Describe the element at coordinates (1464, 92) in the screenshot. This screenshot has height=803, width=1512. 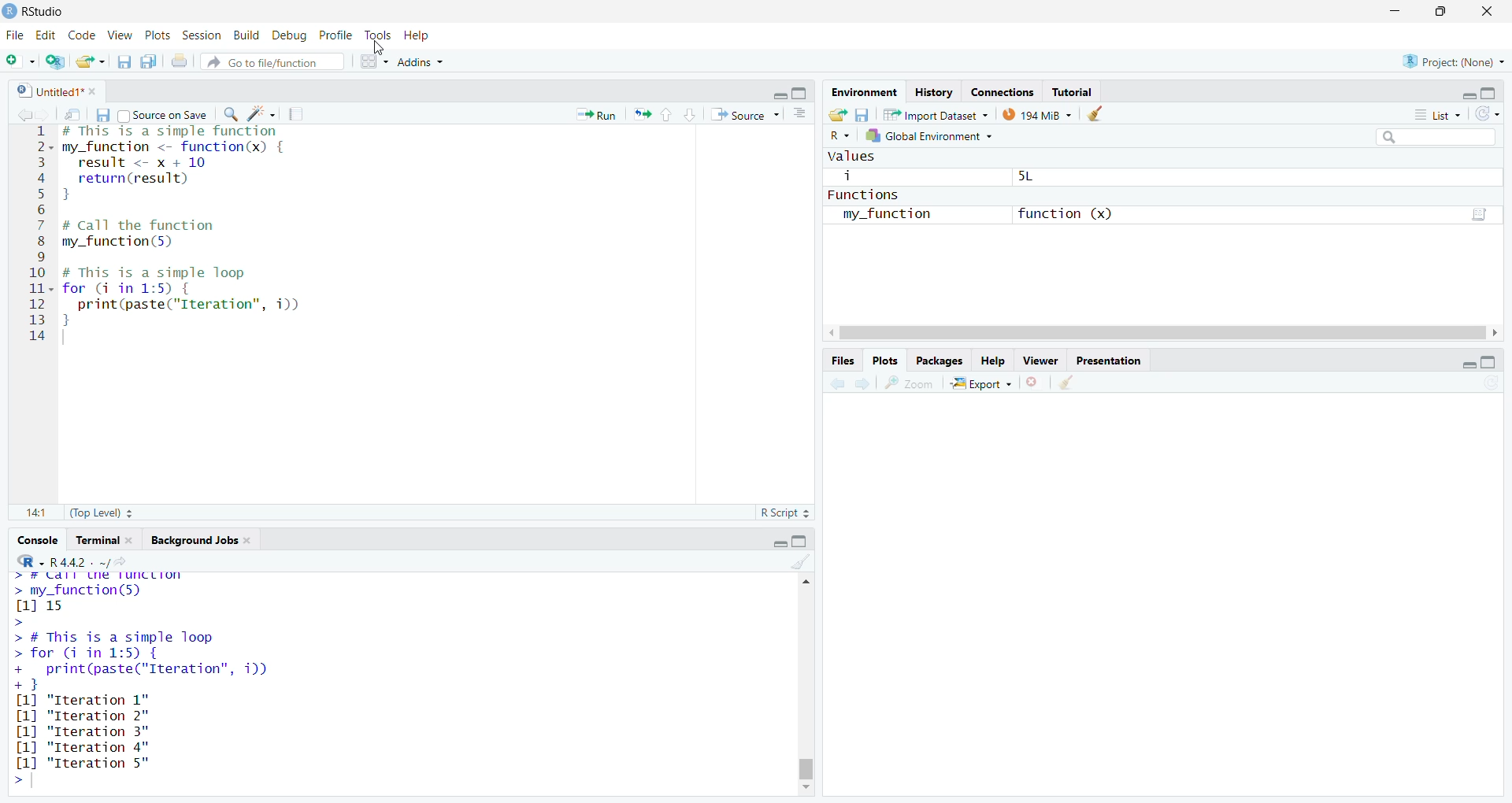
I see `minimize` at that location.